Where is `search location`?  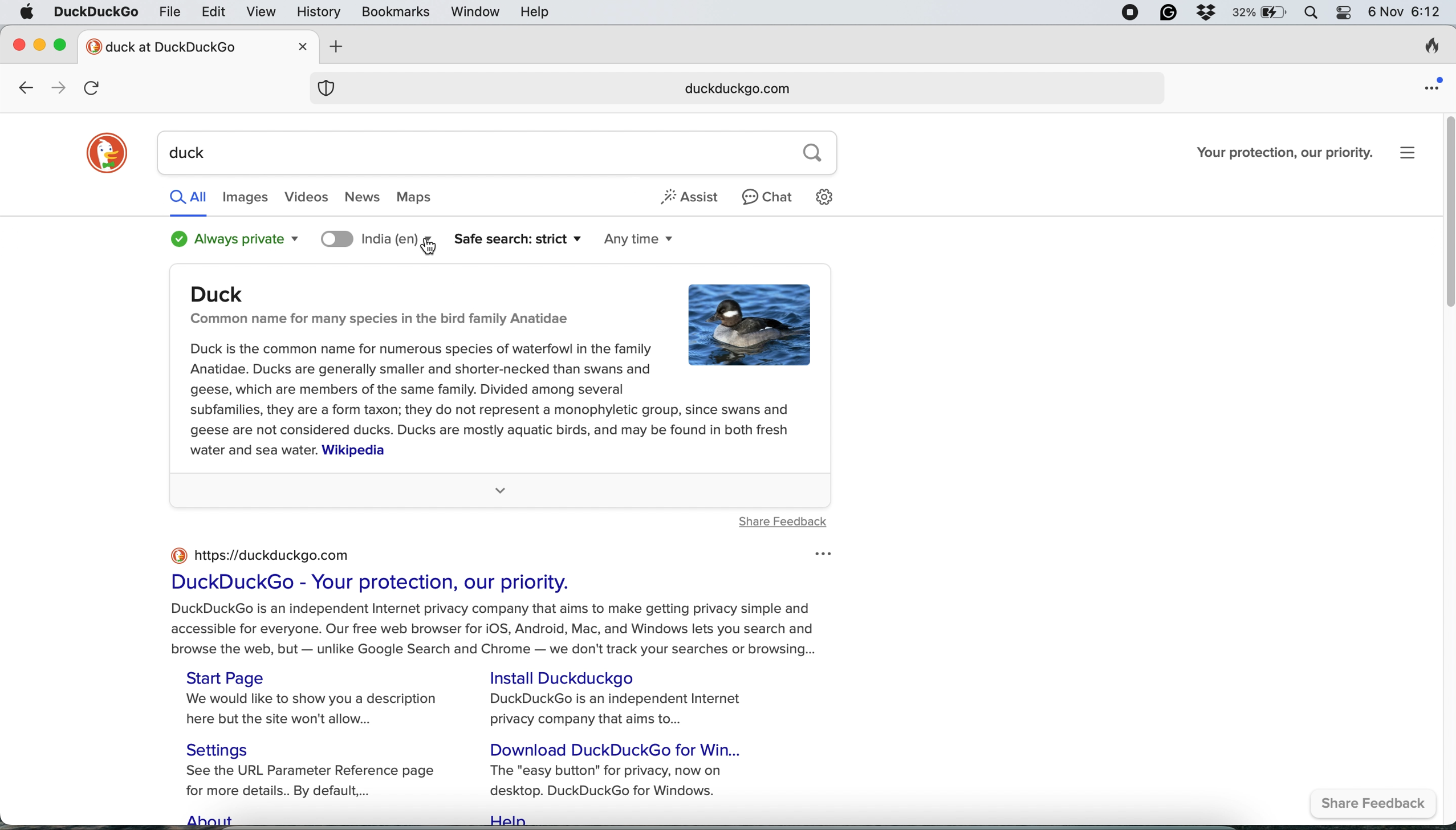
search location is located at coordinates (395, 239).